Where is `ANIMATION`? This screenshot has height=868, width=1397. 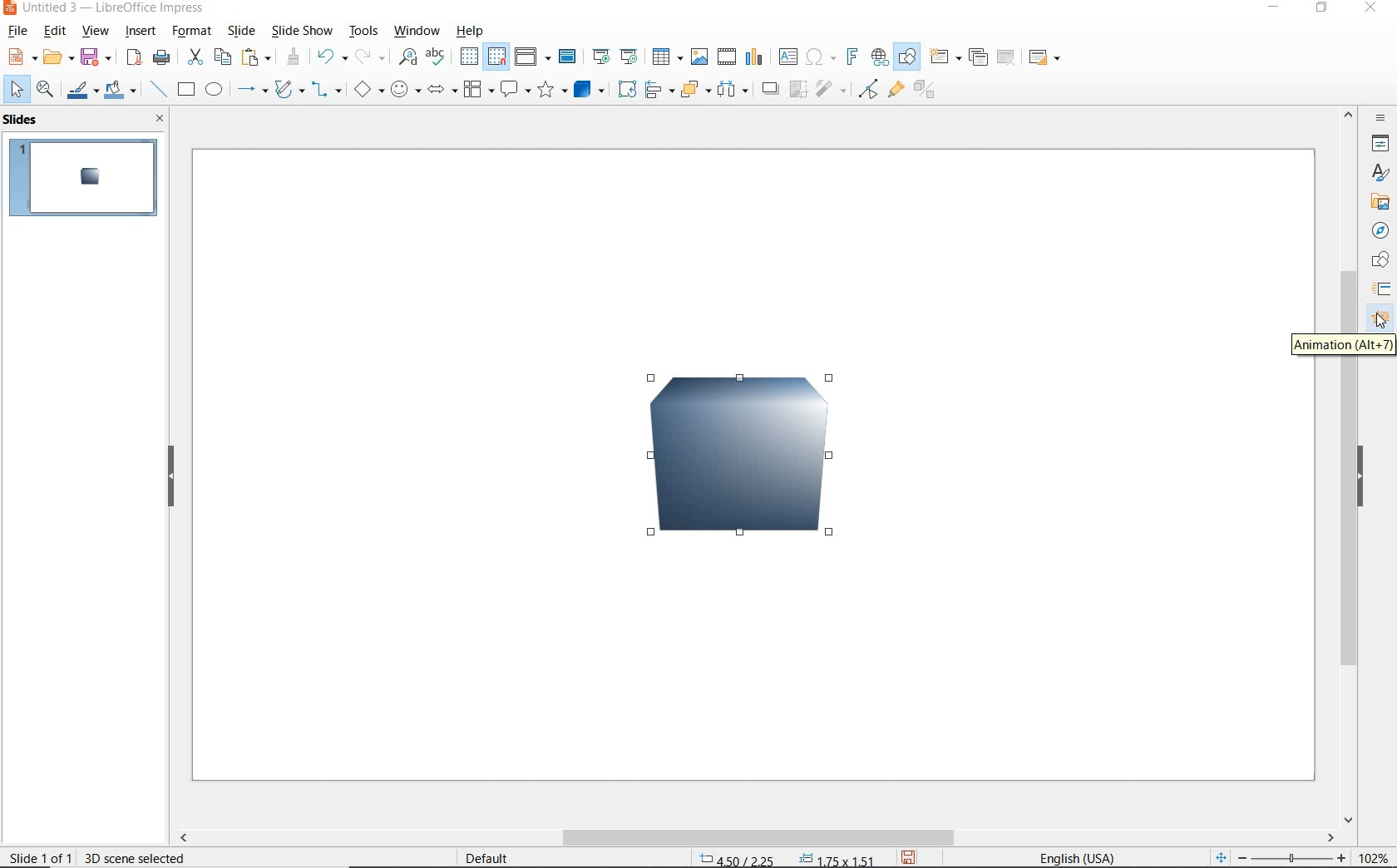 ANIMATION is located at coordinates (1342, 345).